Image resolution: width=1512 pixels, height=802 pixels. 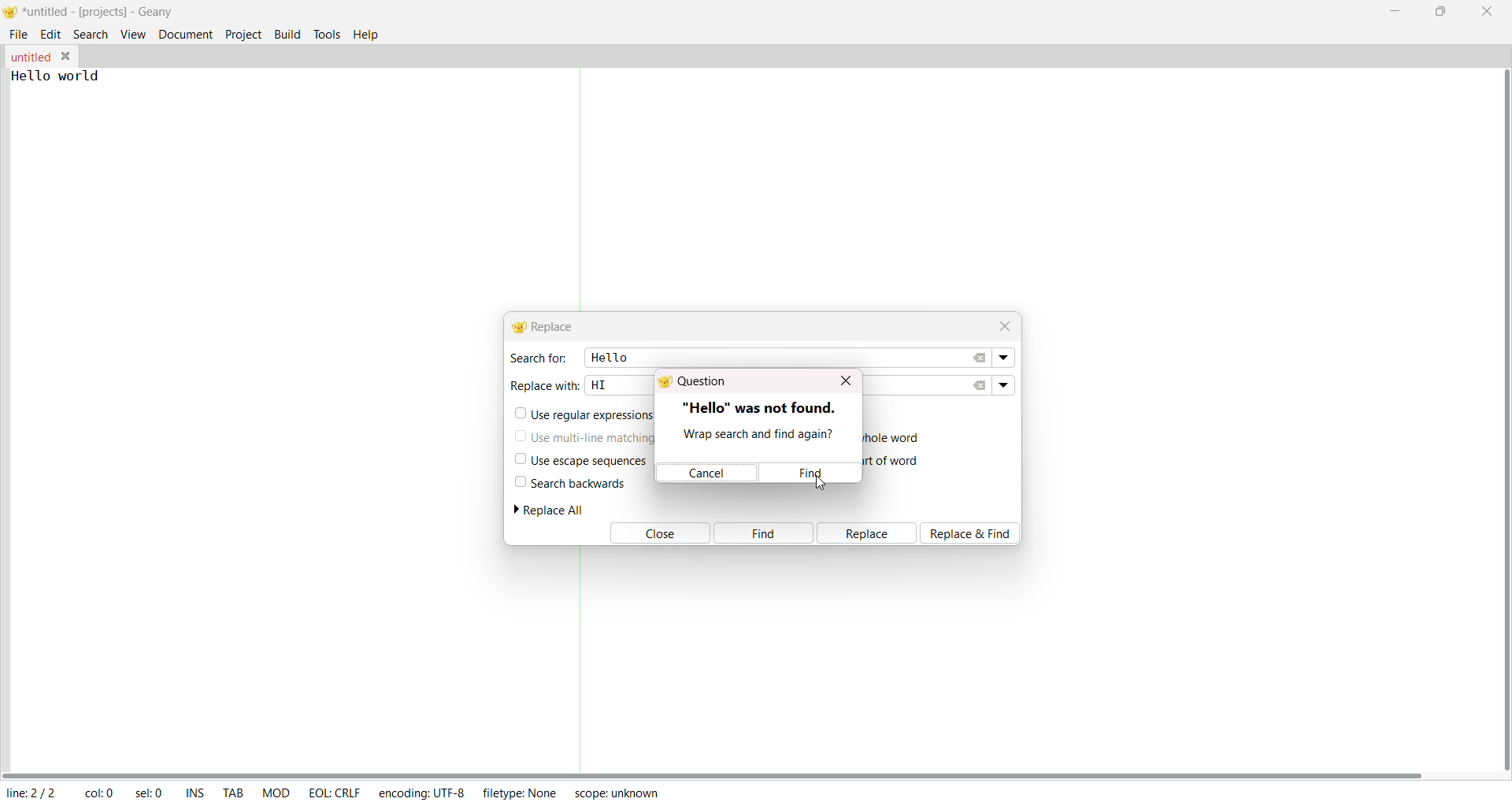 I want to click on vertical scroll bar, so click(x=1501, y=420).